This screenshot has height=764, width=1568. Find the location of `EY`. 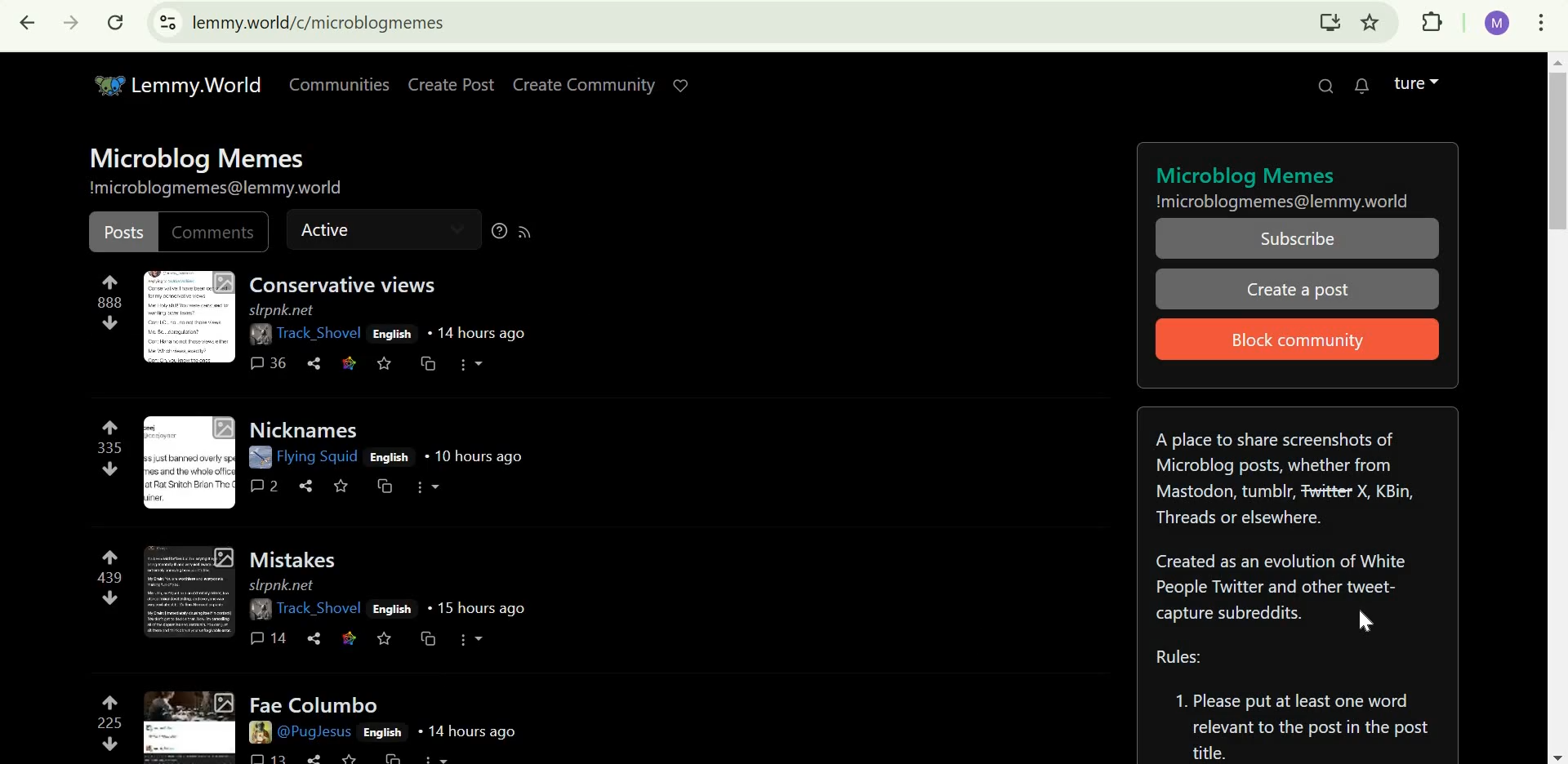

EY is located at coordinates (75, 21).